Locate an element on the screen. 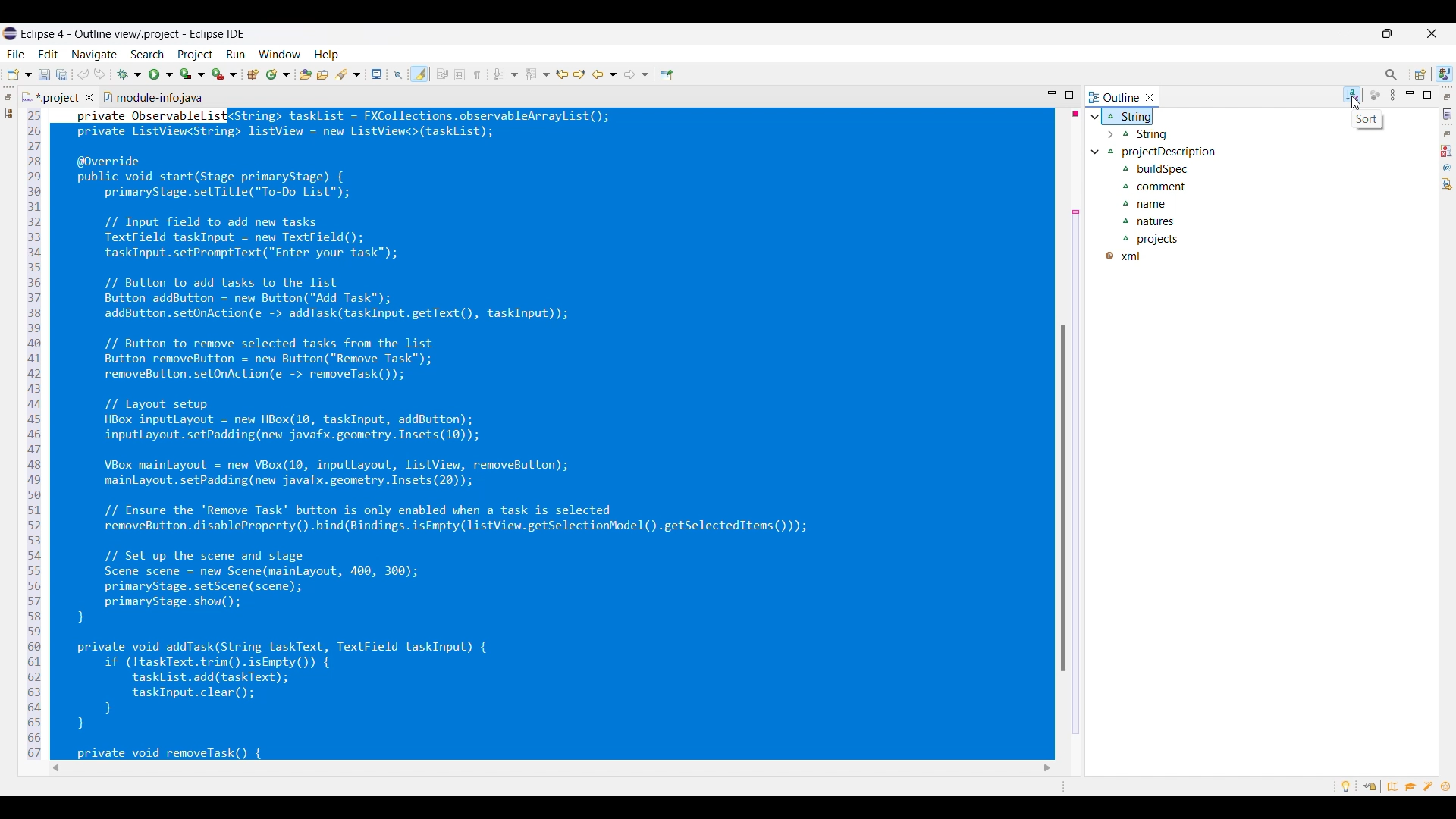 This screenshot has height=819, width=1456. Software logo is located at coordinates (10, 33).